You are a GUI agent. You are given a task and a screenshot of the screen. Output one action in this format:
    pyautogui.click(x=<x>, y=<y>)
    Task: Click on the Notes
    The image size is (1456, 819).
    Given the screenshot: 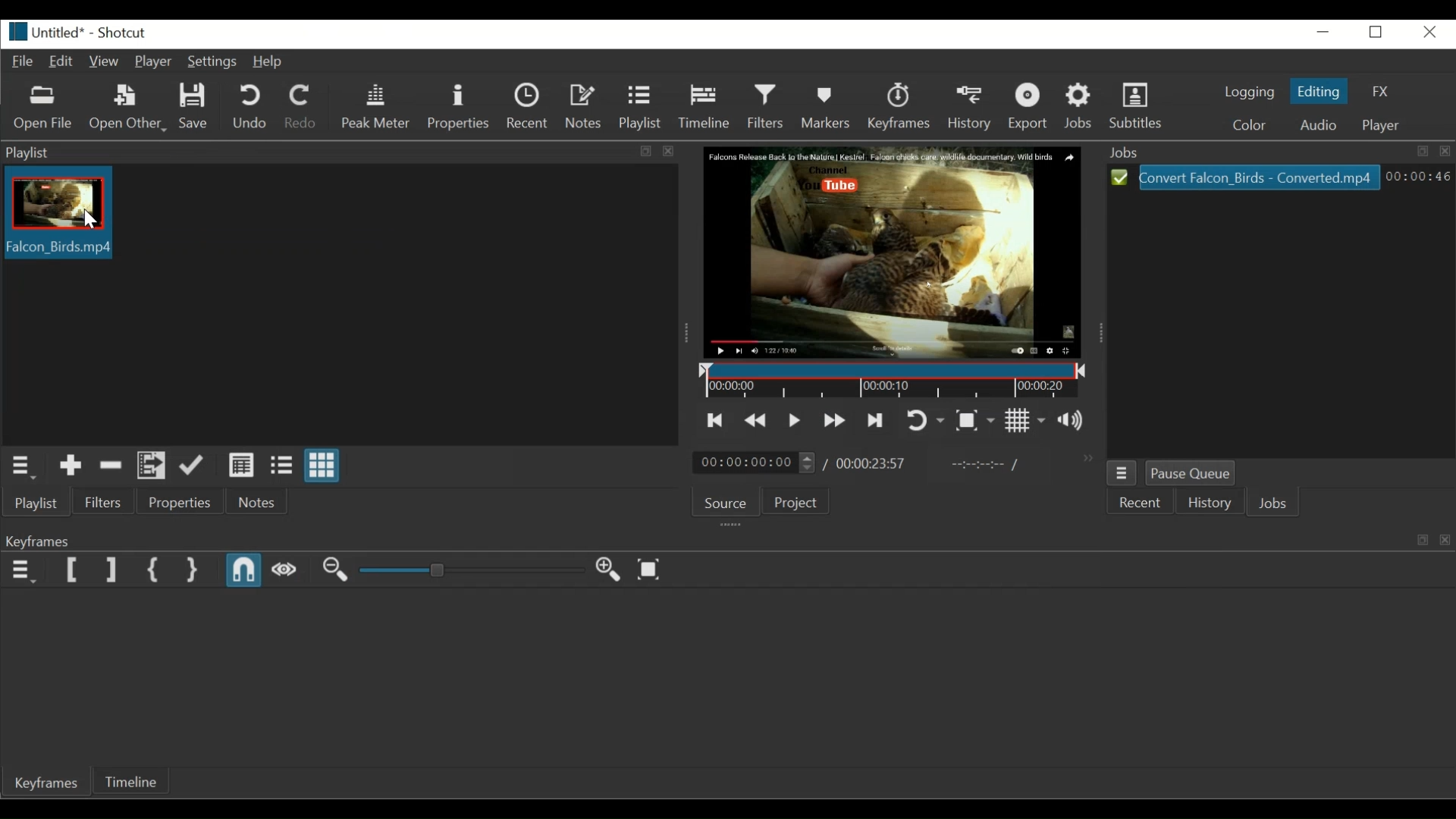 What is the action you would take?
    pyautogui.click(x=585, y=107)
    